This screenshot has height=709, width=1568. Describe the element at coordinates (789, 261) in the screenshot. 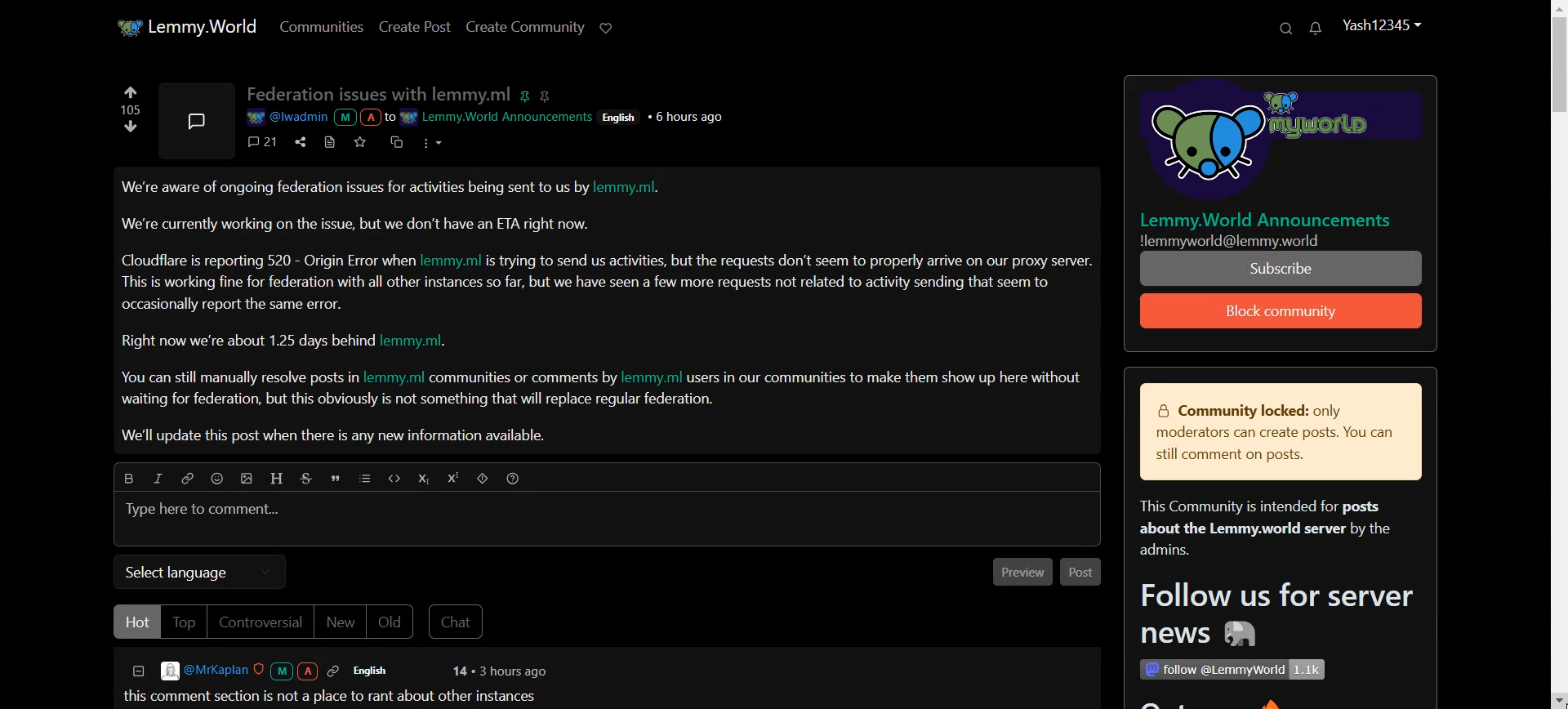

I see `s trying to send us activities, but the requests don’t seem to properly arrive on our proxy server.` at that location.